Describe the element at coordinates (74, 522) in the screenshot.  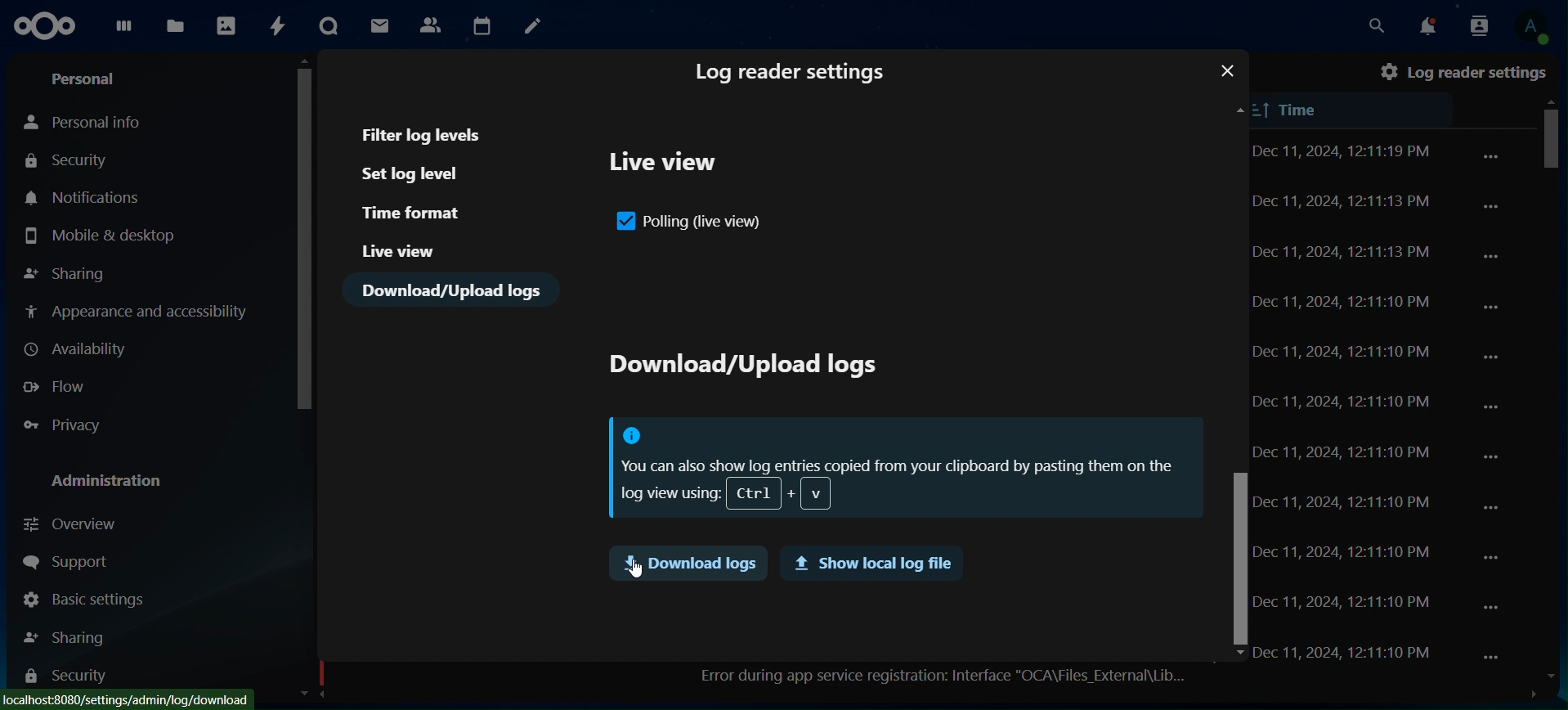
I see `overview` at that location.